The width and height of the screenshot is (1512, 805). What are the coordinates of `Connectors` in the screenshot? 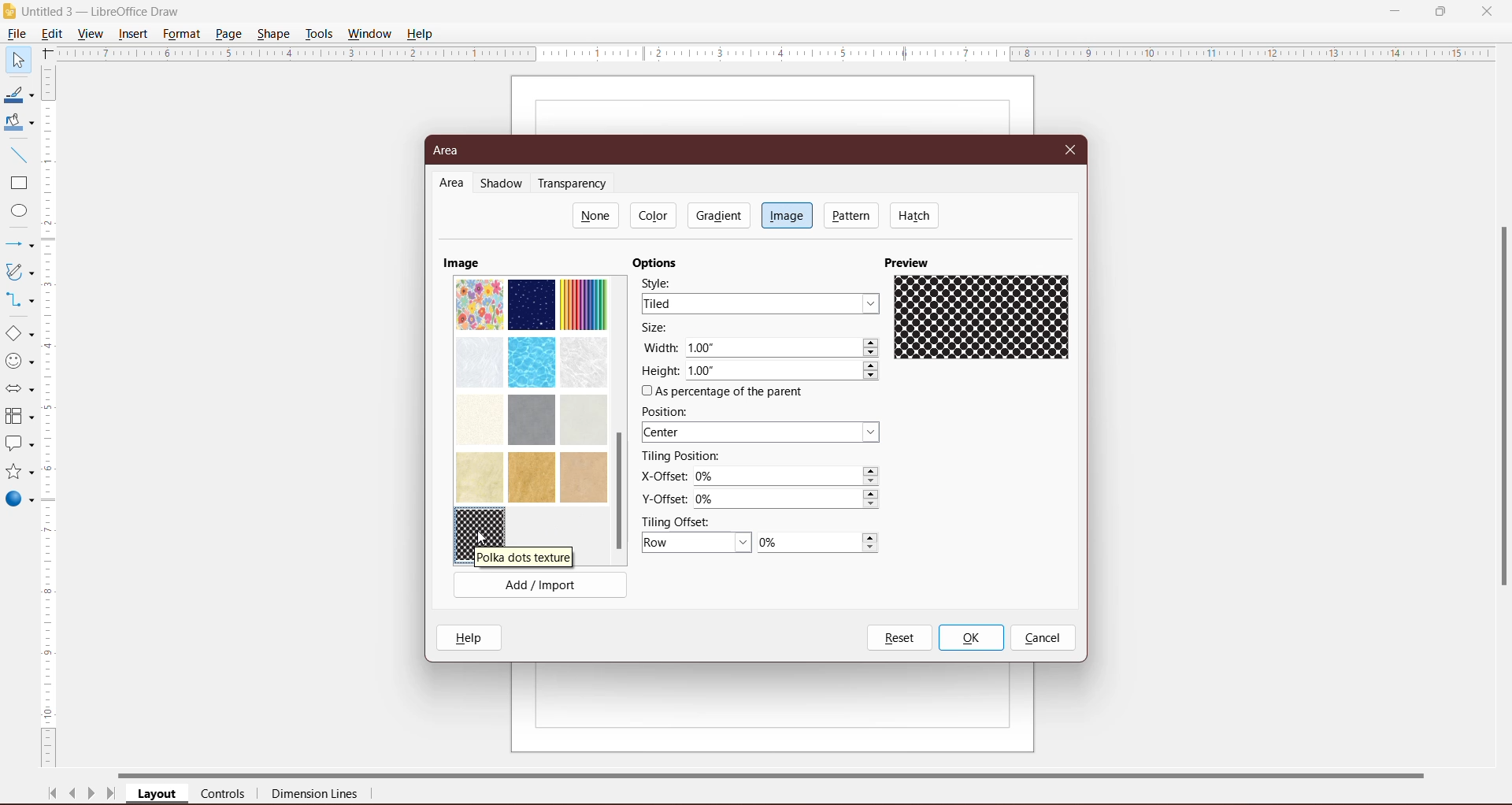 It's located at (18, 301).